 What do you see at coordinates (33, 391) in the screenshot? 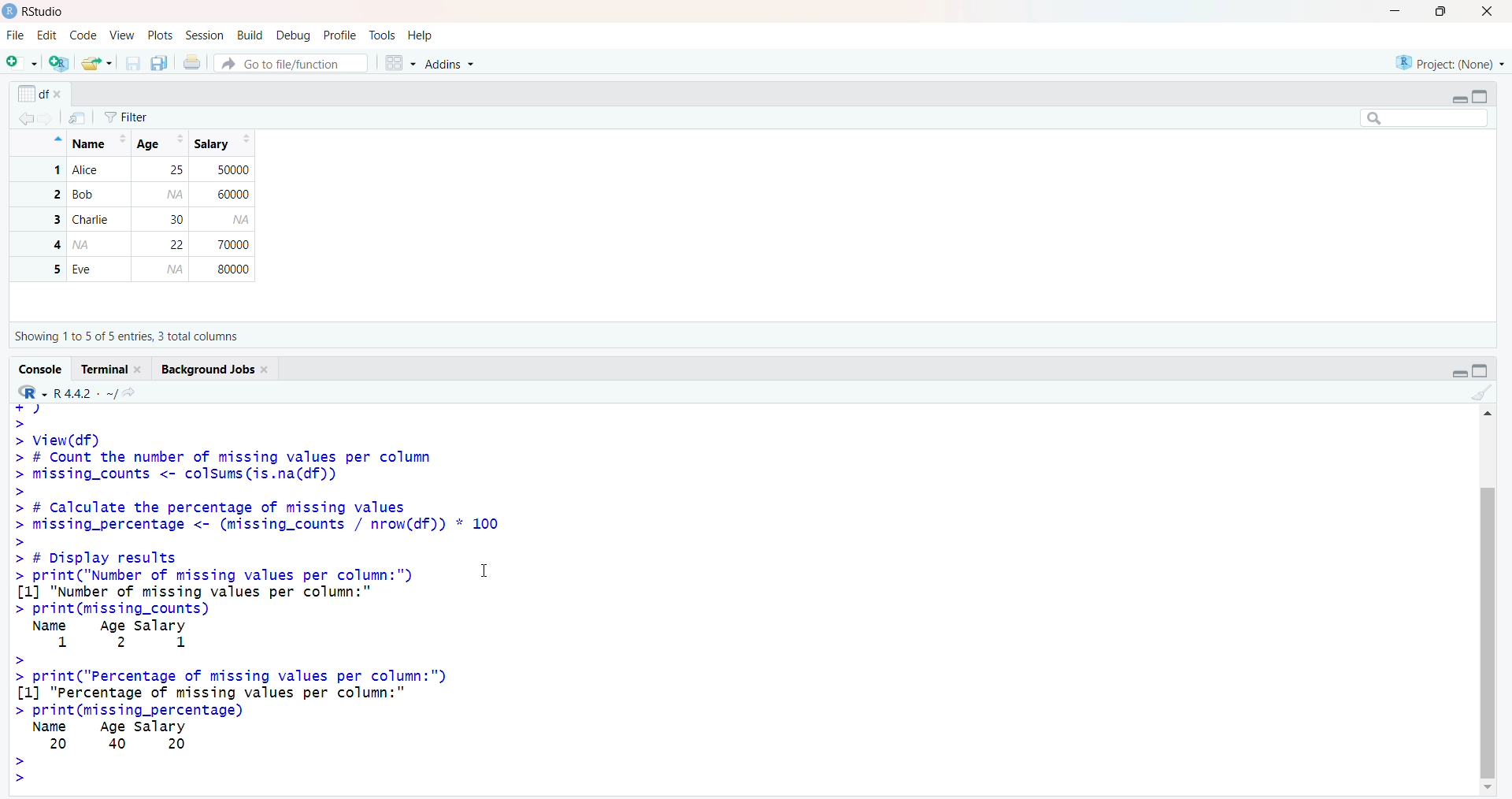
I see `R` at bounding box center [33, 391].